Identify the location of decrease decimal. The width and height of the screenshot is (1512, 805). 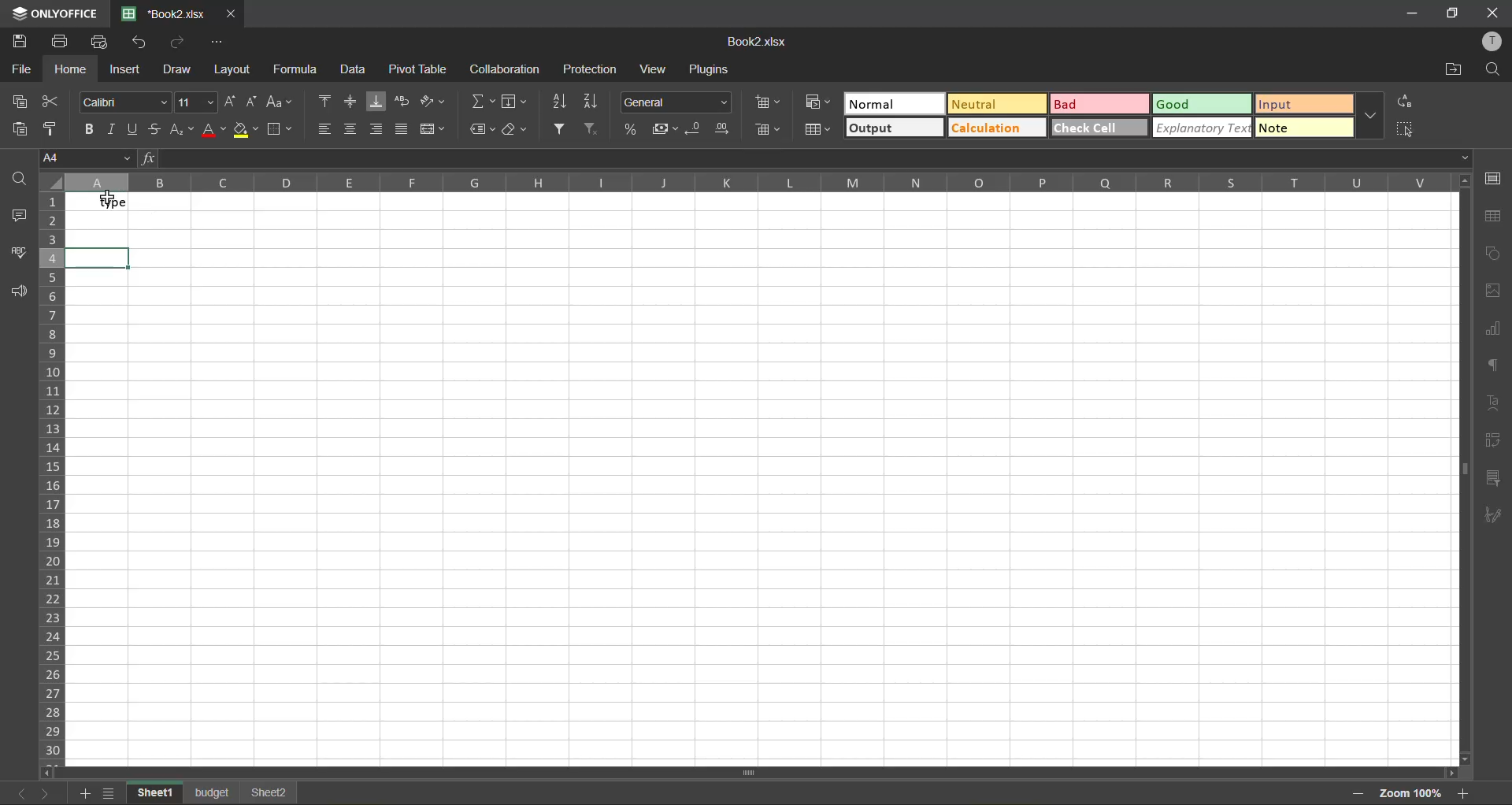
(694, 128).